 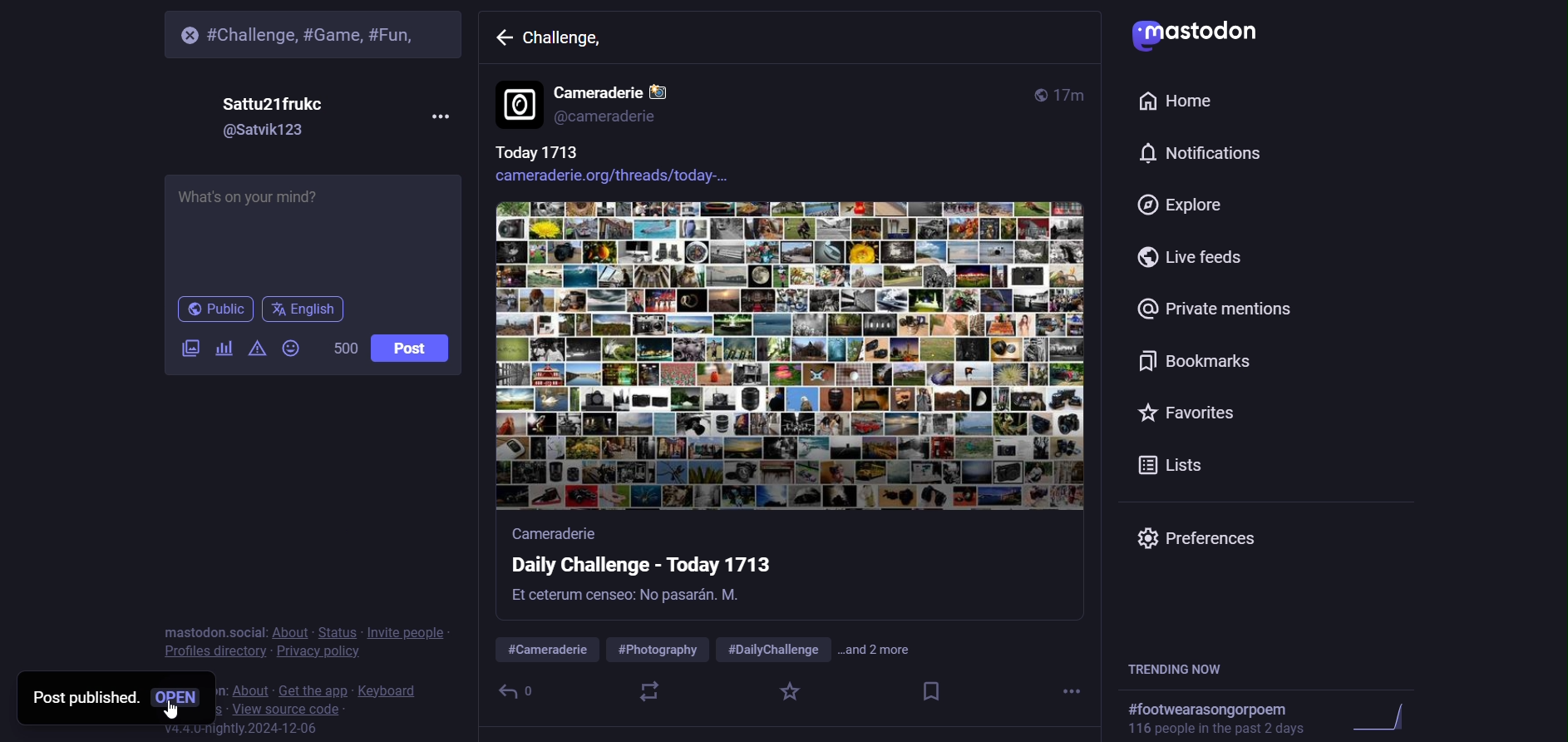 I want to click on back, so click(x=502, y=40).